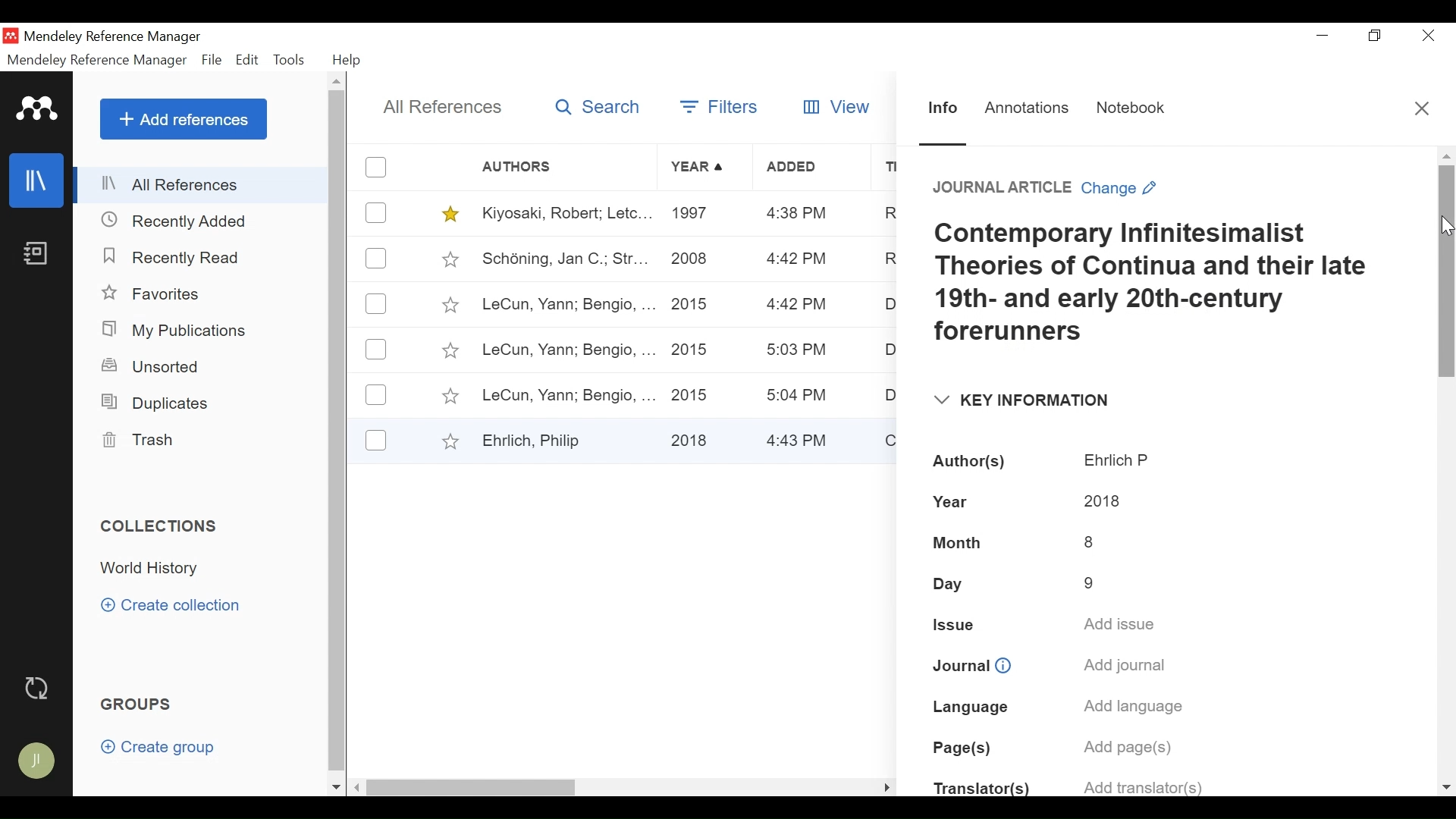  What do you see at coordinates (134, 704) in the screenshot?
I see `Groups` at bounding box center [134, 704].